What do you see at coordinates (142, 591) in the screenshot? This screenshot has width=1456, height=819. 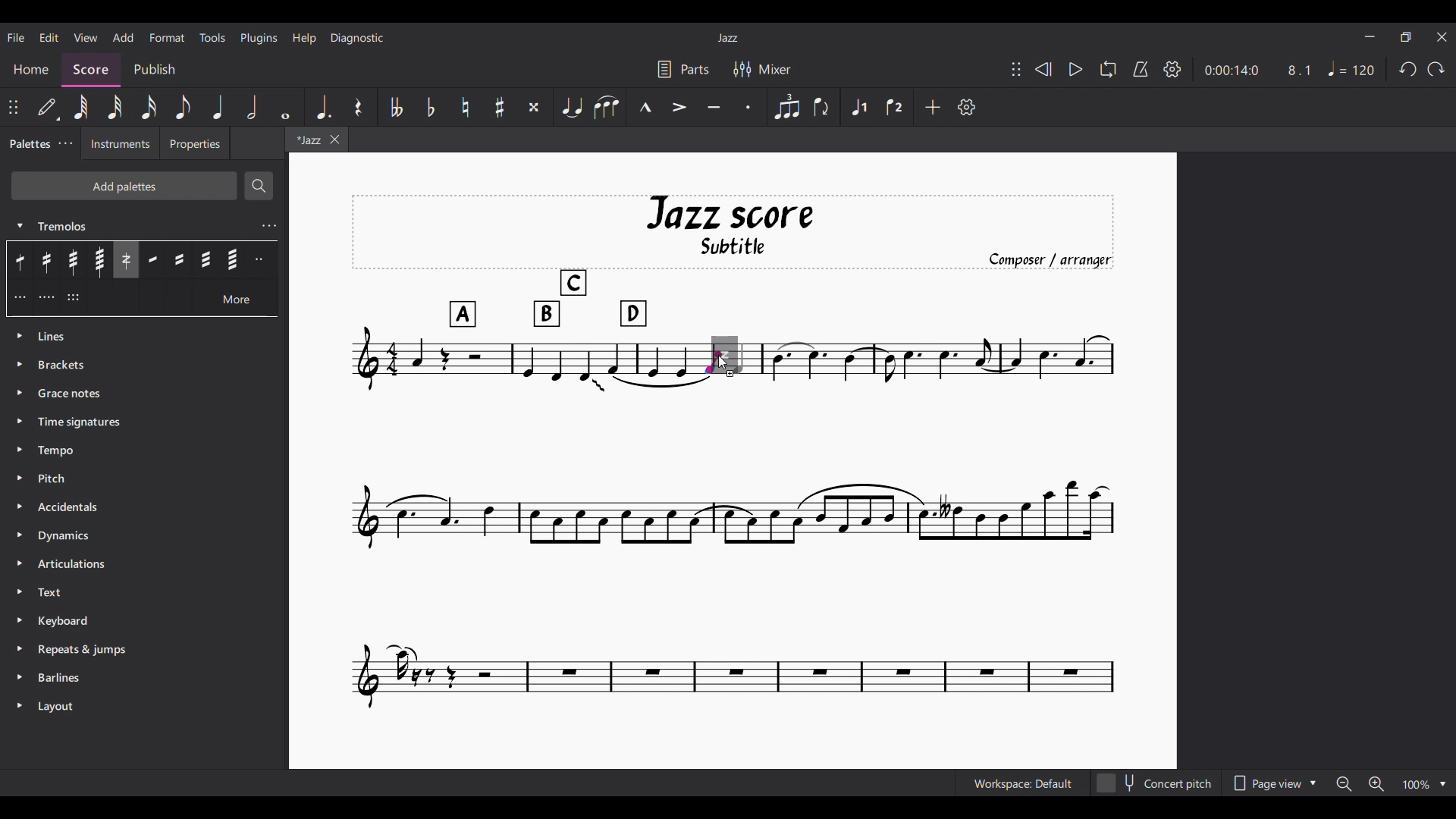 I see `Text` at bounding box center [142, 591].